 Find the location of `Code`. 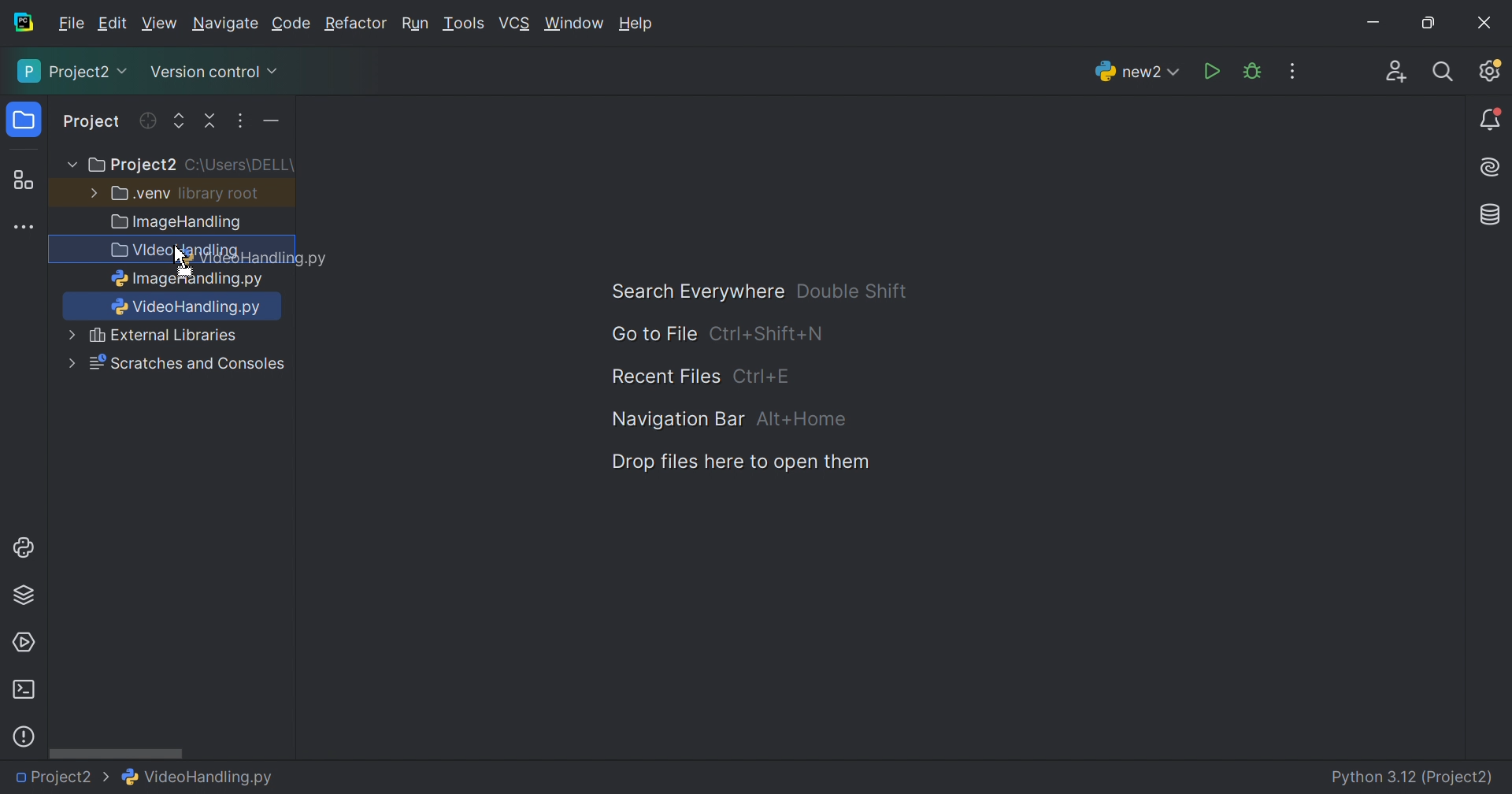

Code is located at coordinates (294, 24).